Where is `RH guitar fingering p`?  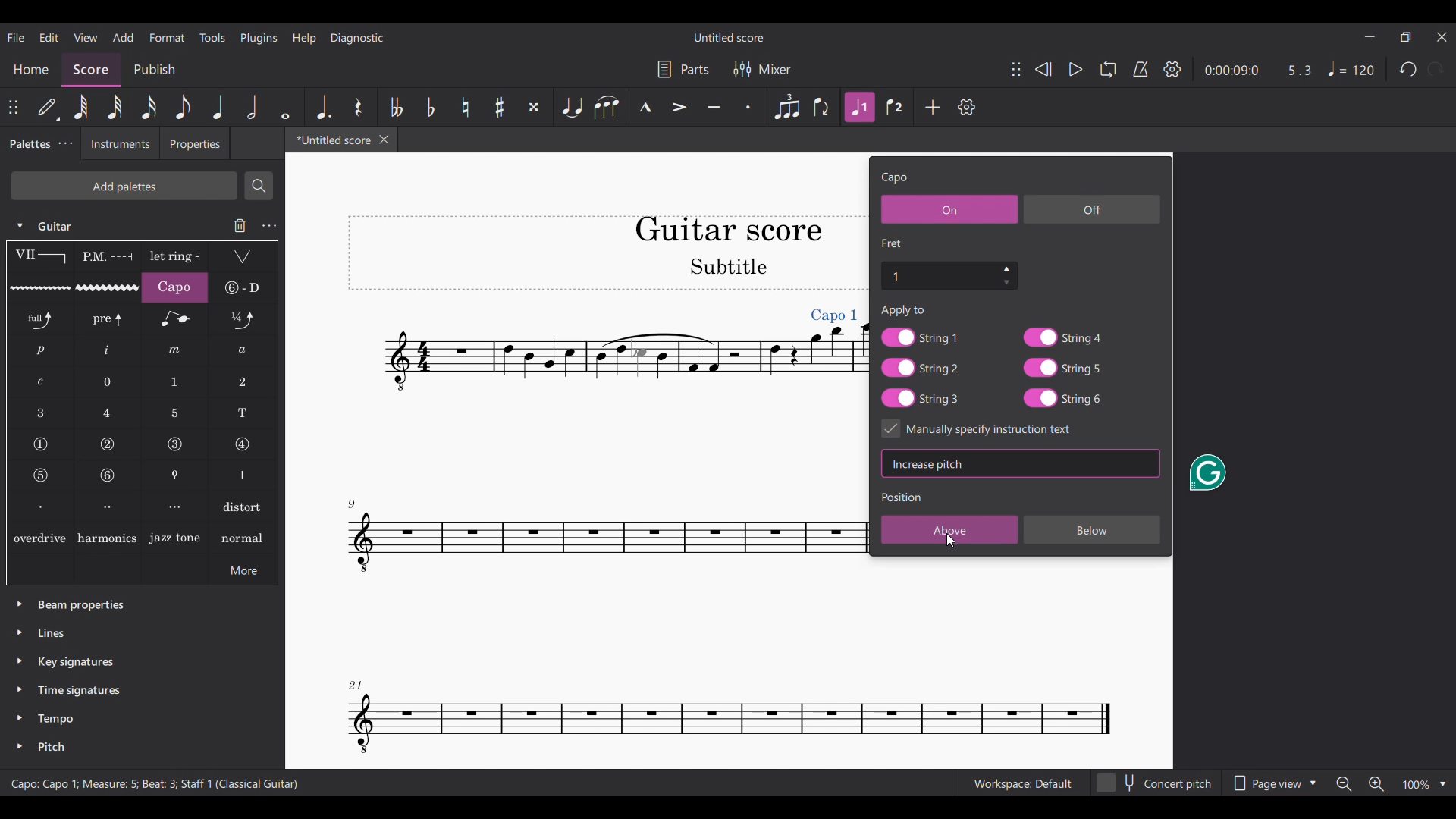 RH guitar fingering p is located at coordinates (41, 350).